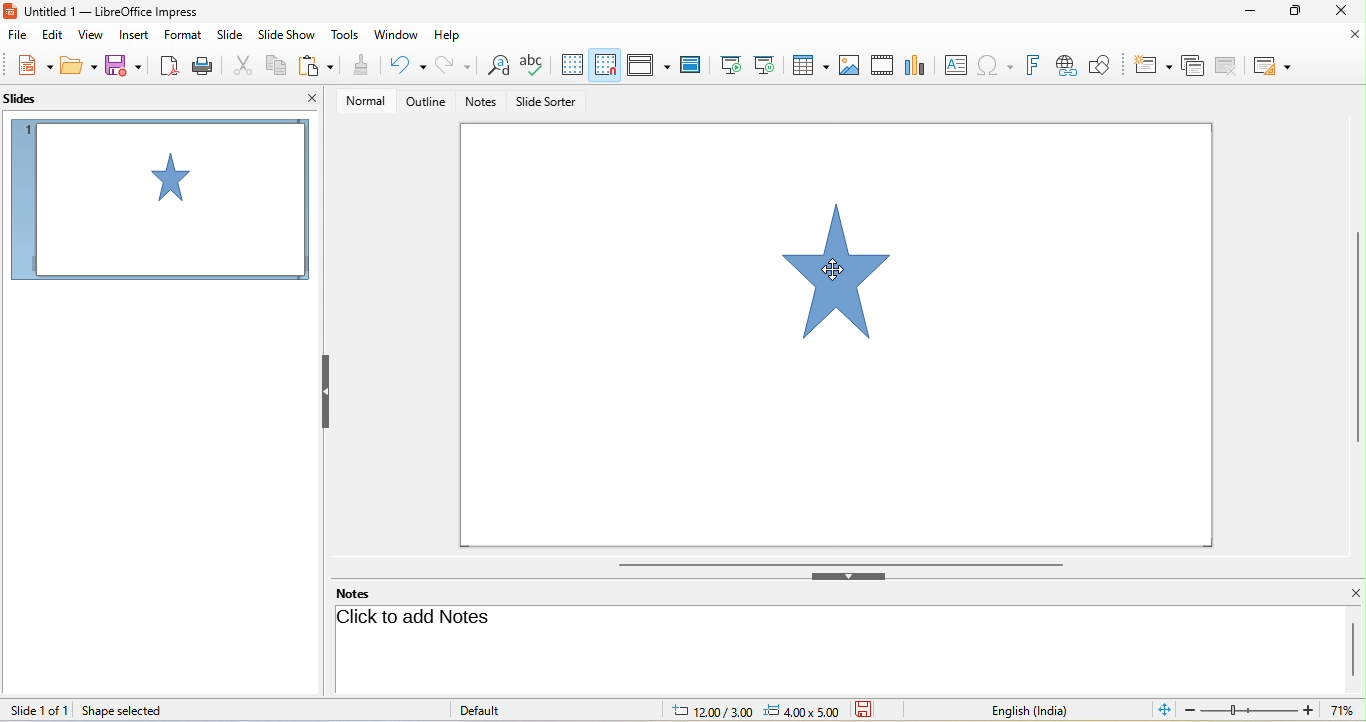 The image size is (1366, 722). Describe the element at coordinates (801, 711) in the screenshot. I see `slide dimension: 4.00x5.00` at that location.